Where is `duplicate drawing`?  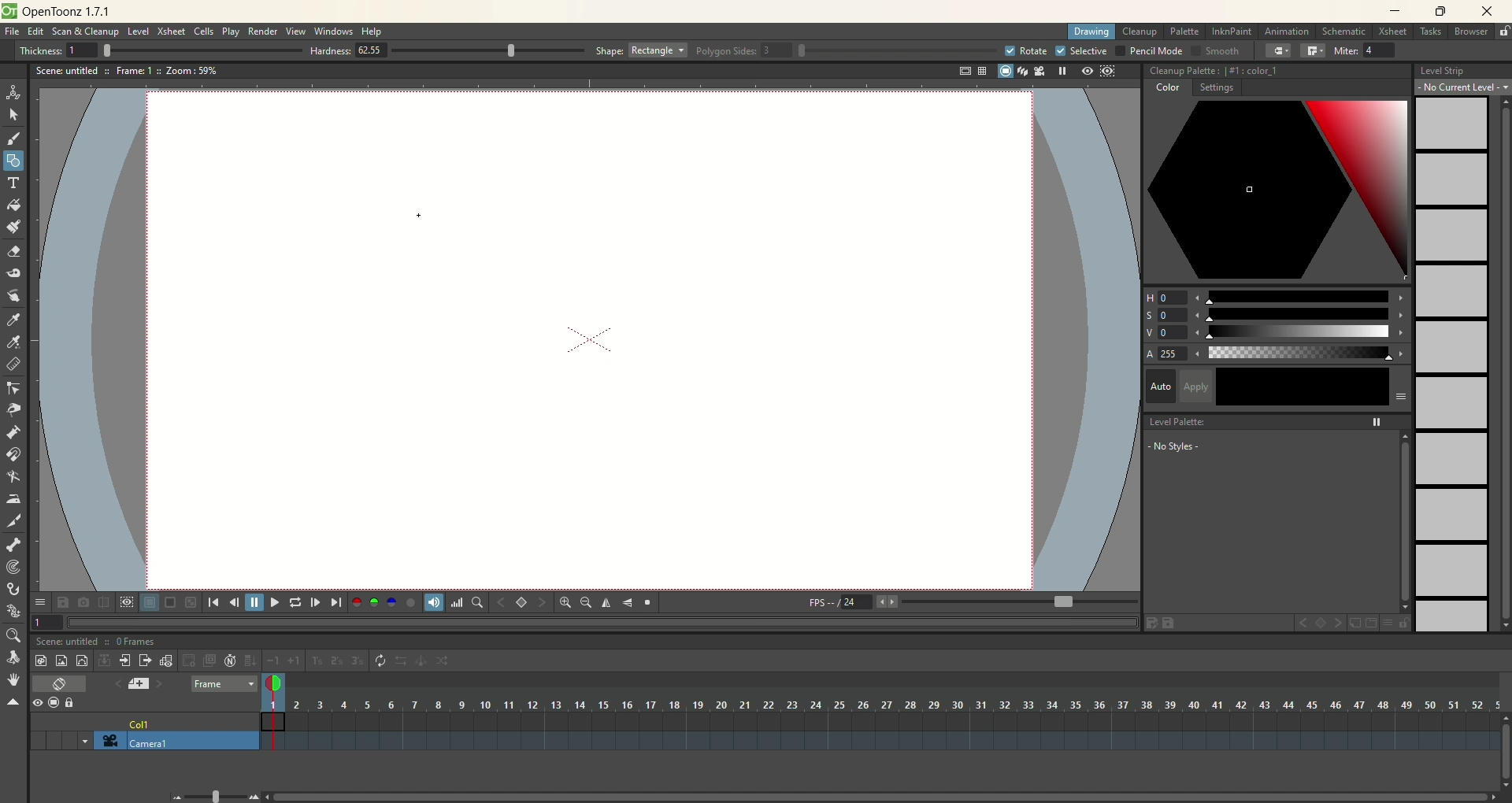 duplicate drawing is located at coordinates (210, 661).